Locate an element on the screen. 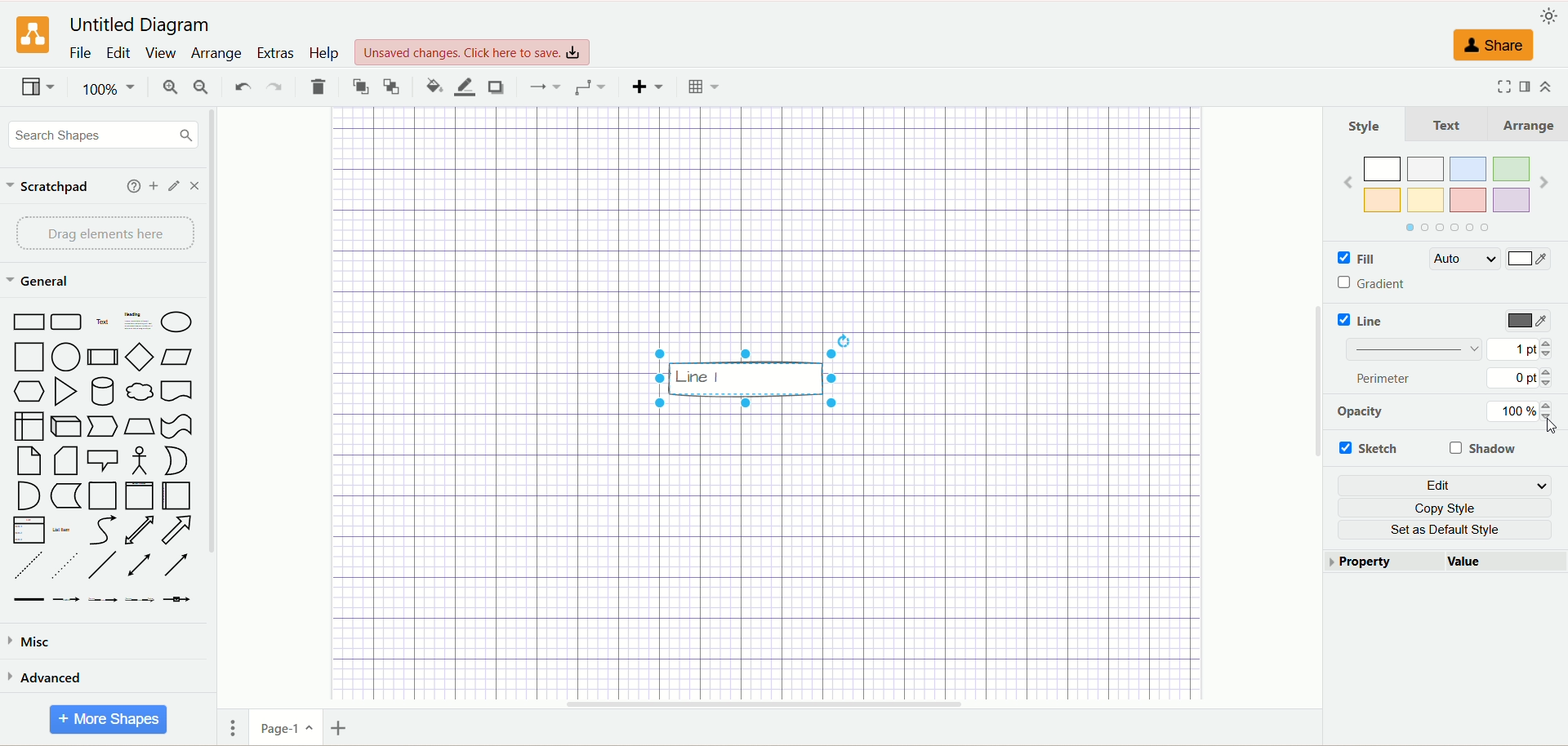 This screenshot has width=1568, height=746. Actor is located at coordinates (140, 463).